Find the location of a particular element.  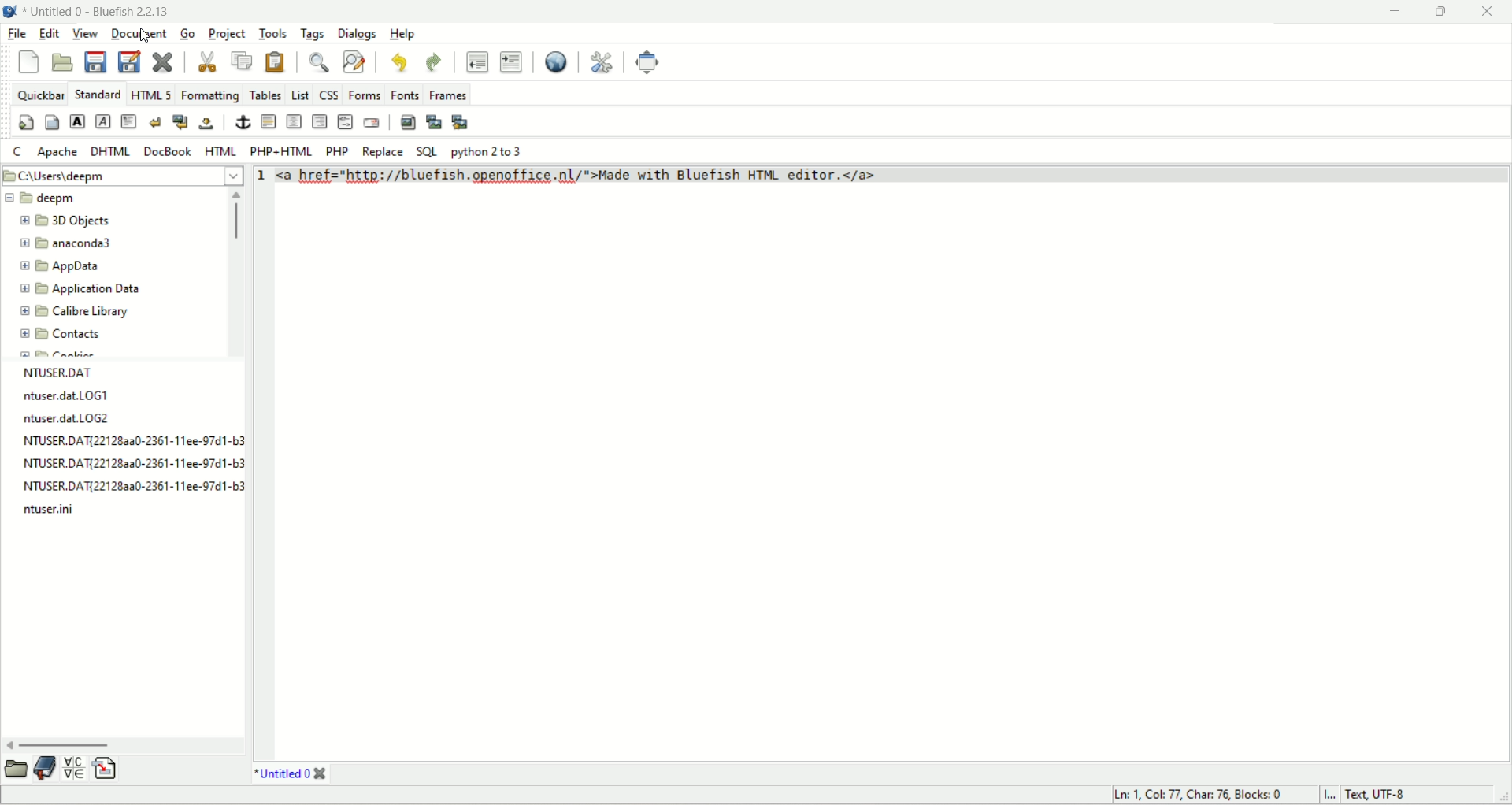

right justify is located at coordinates (321, 123).